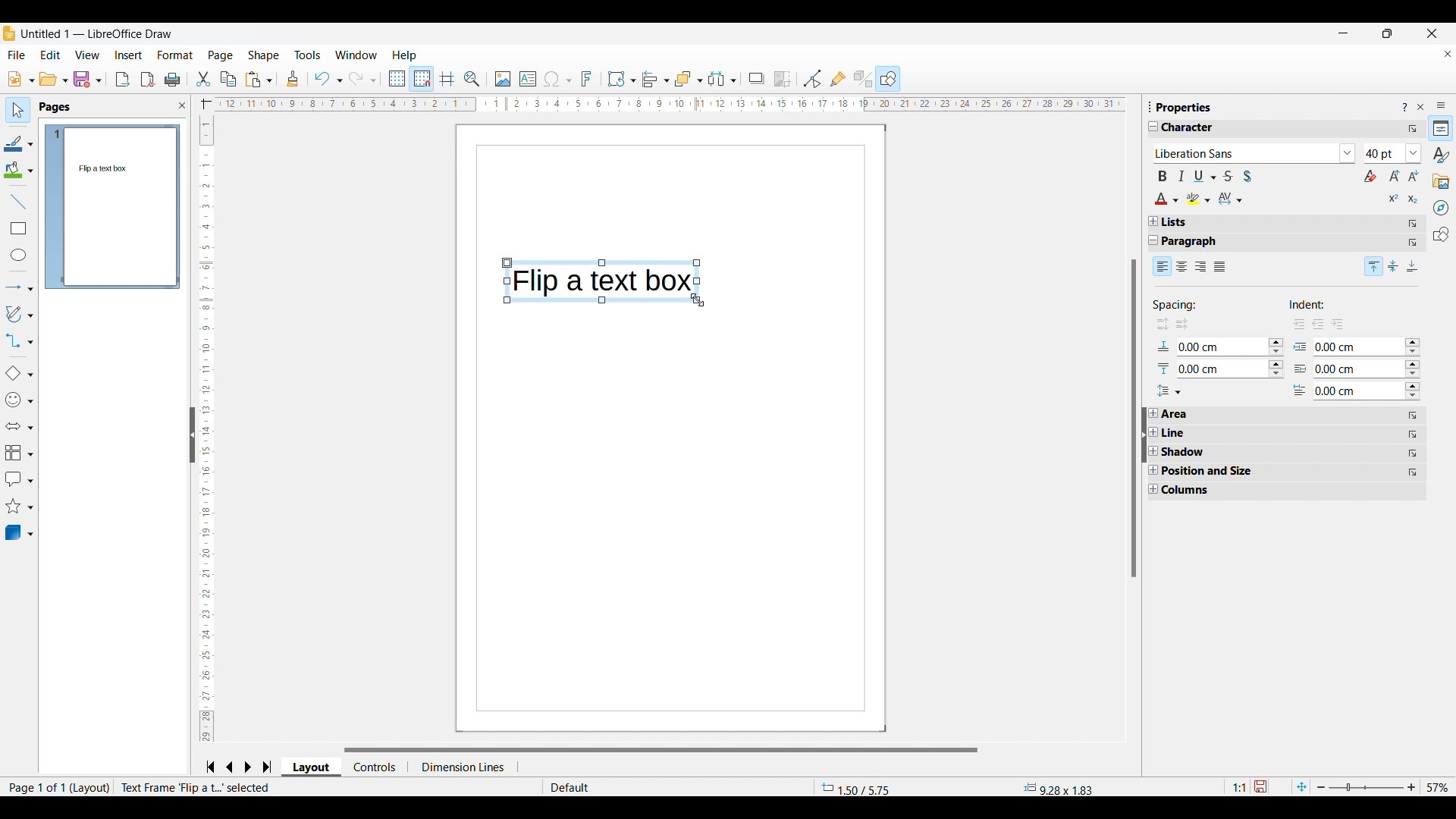 Image resolution: width=1456 pixels, height=819 pixels. I want to click on Horizontal ruler, so click(660, 105).